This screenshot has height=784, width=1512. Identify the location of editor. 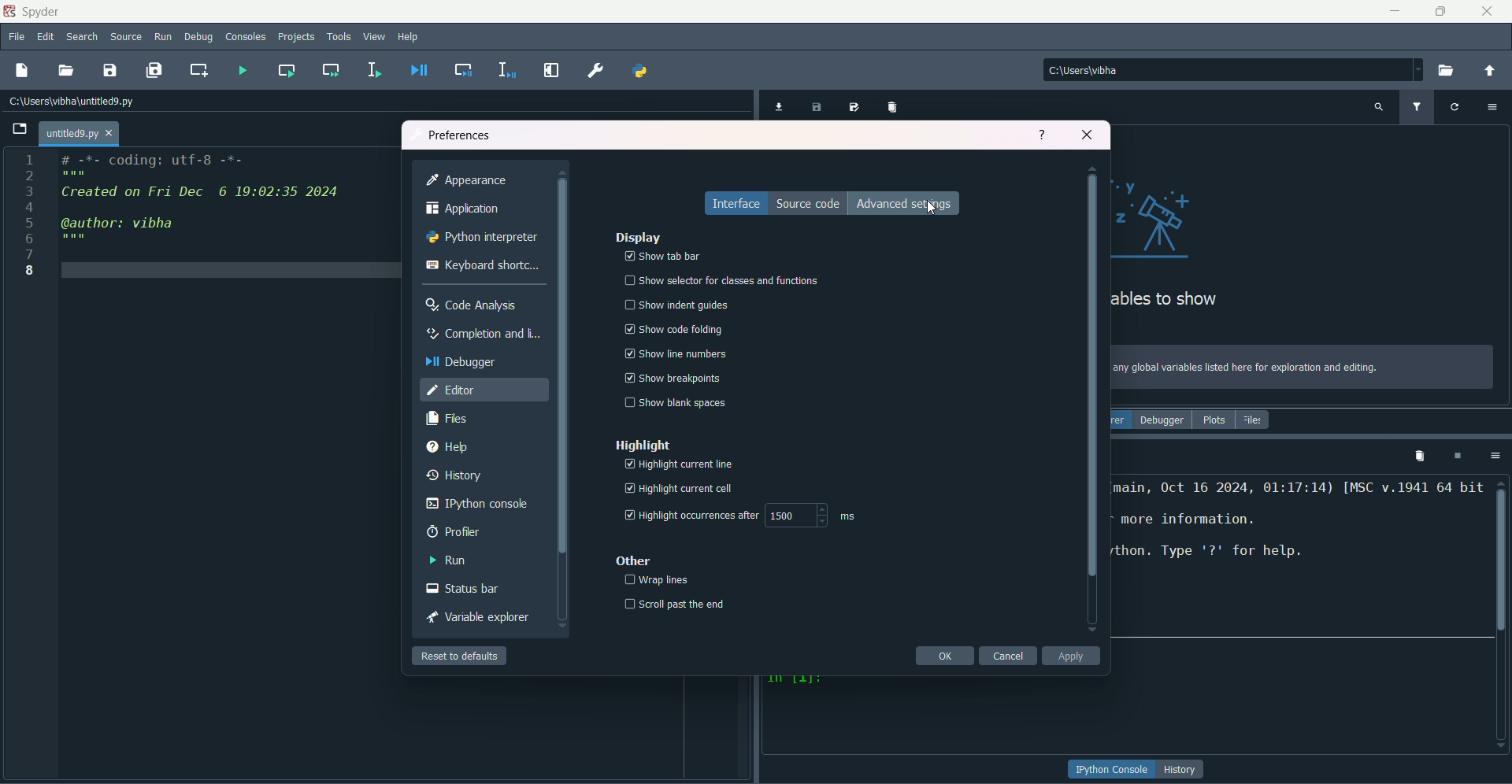
(453, 390).